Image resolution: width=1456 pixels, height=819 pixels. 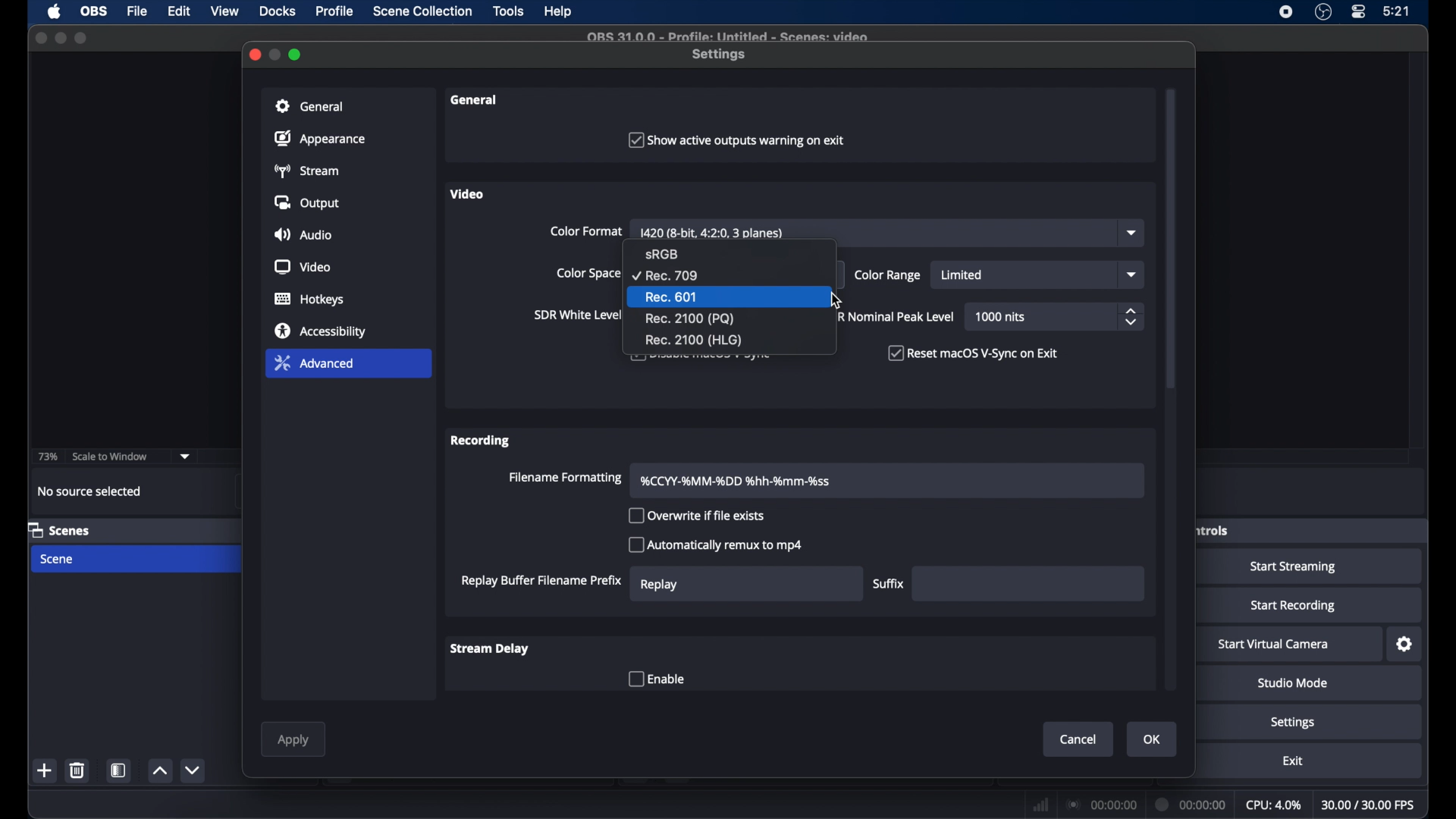 What do you see at coordinates (664, 274) in the screenshot?
I see `rec 709` at bounding box center [664, 274].